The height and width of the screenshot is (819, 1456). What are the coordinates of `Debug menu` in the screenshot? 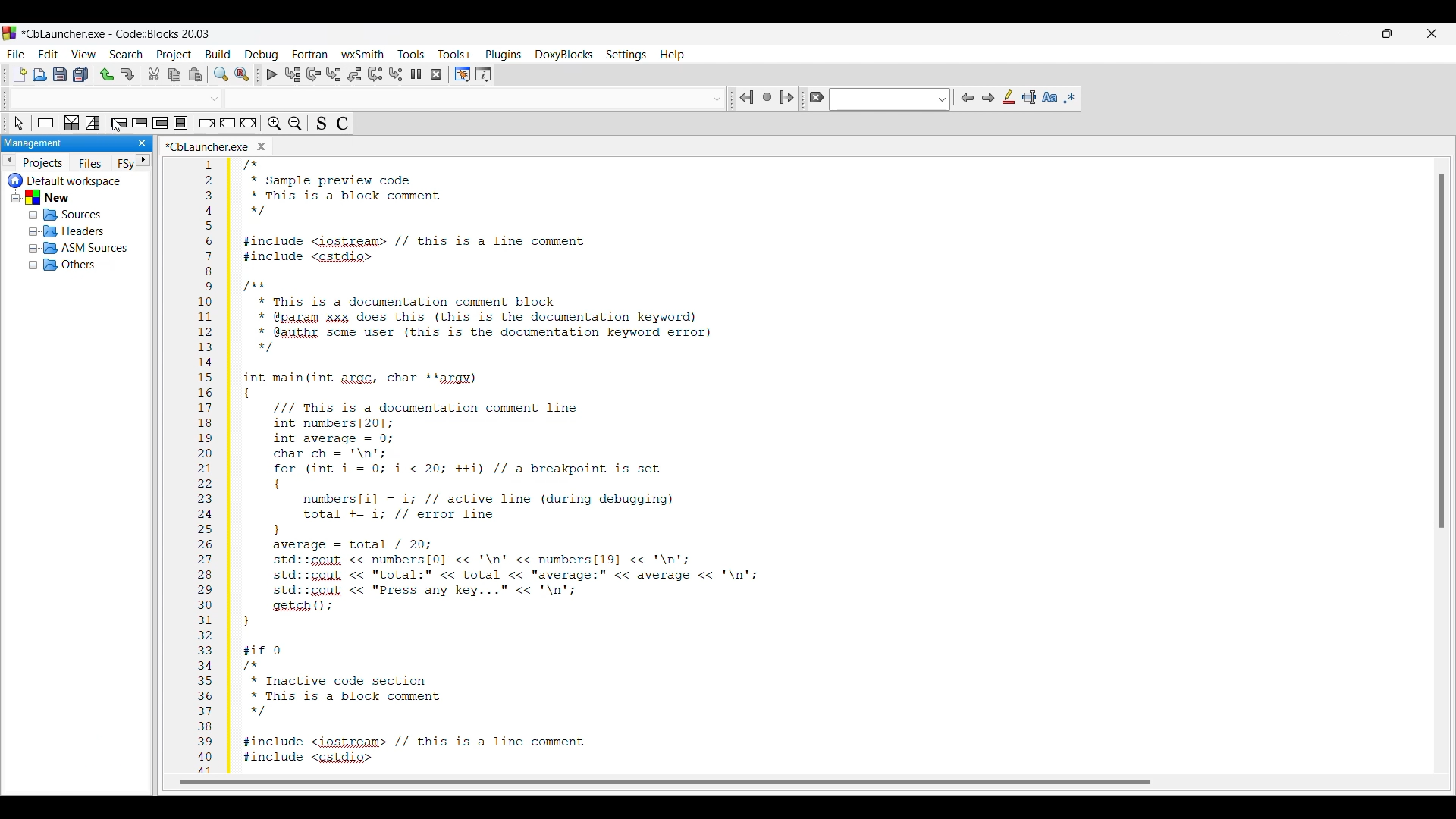 It's located at (262, 55).